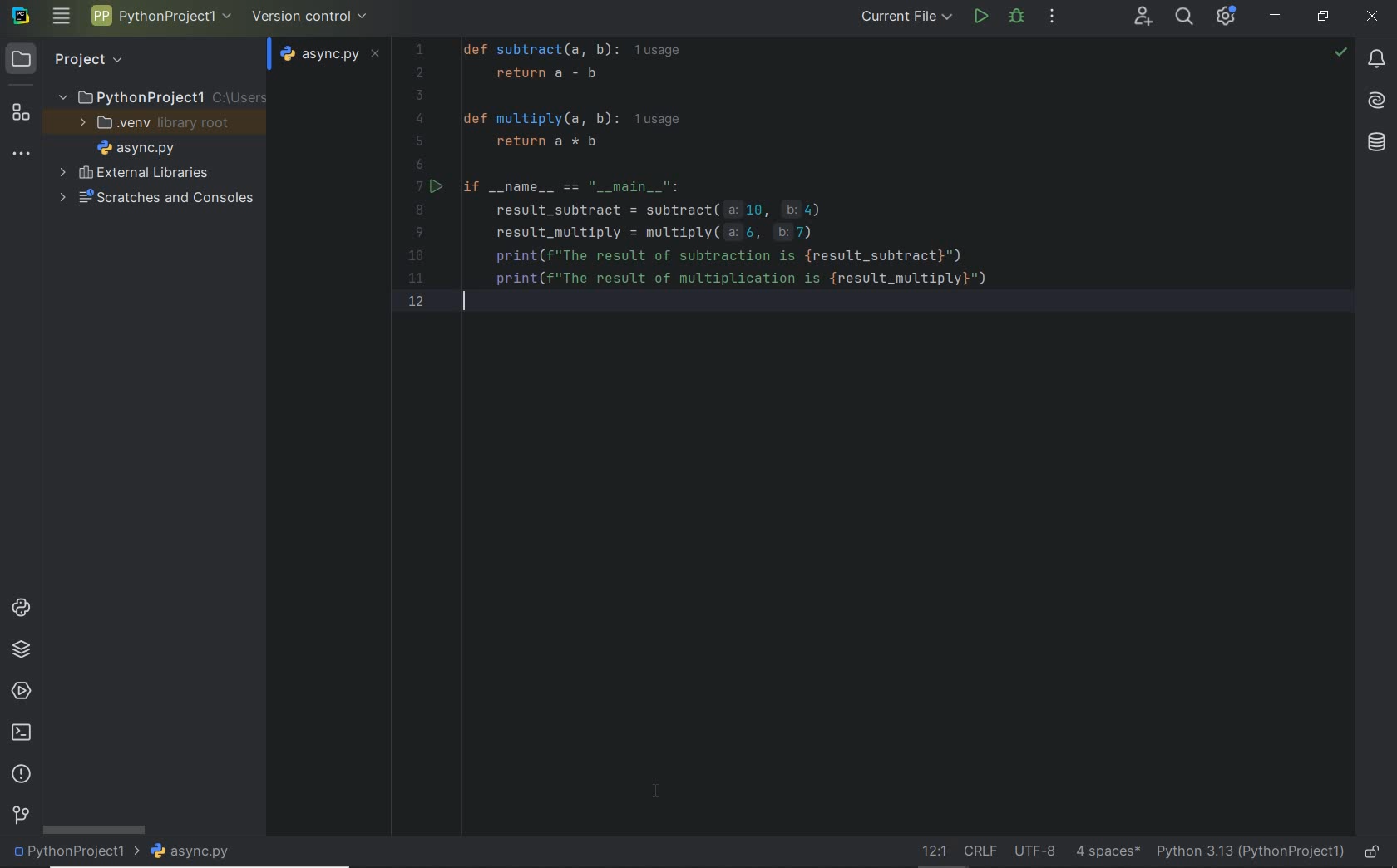 Image resolution: width=1397 pixels, height=868 pixels. I want to click on typing cursor, so click(463, 302).